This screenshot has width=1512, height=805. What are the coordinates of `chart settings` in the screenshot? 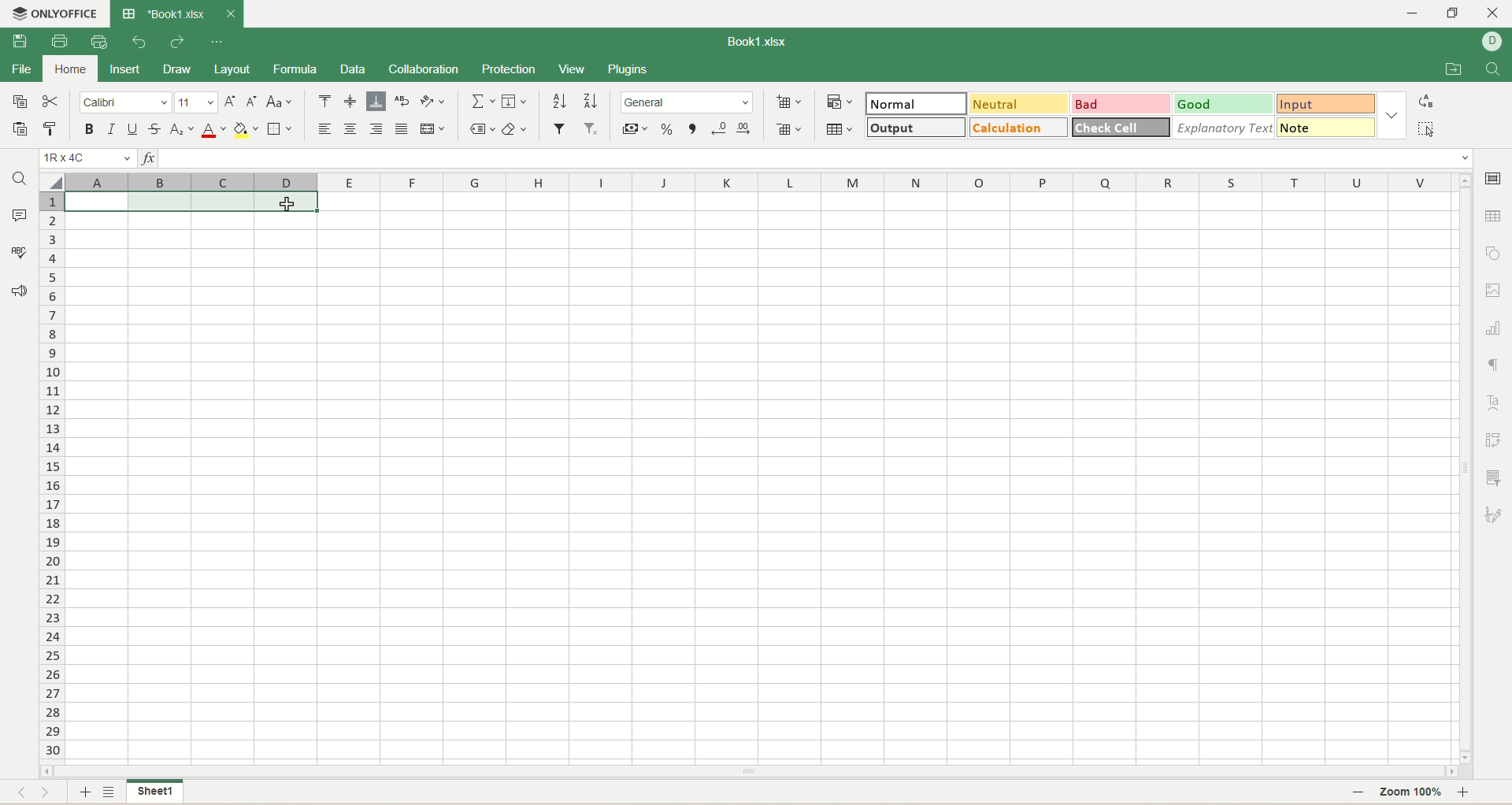 It's located at (1494, 327).